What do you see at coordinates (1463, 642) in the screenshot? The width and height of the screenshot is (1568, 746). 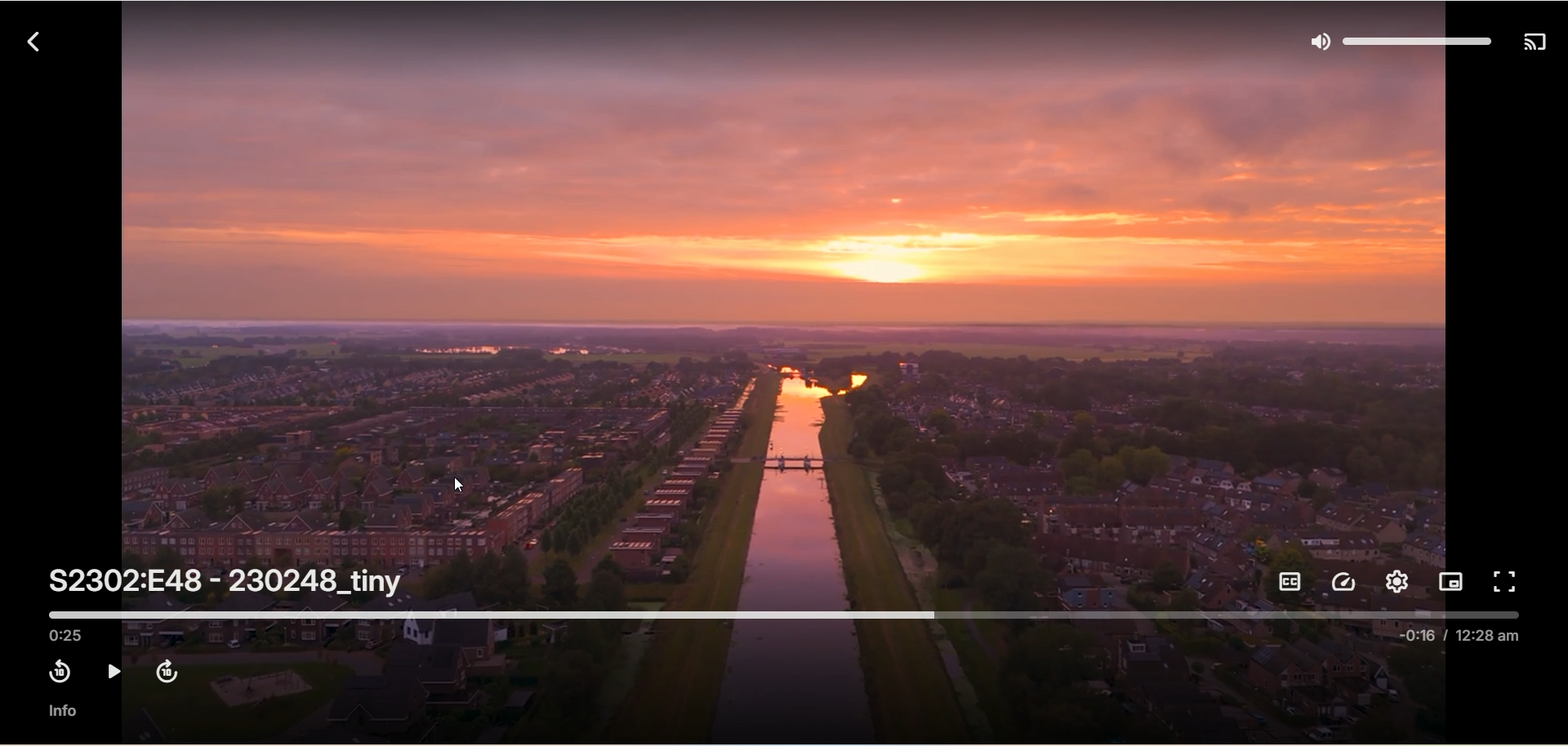 I see `-0:17/12:28 am` at bounding box center [1463, 642].